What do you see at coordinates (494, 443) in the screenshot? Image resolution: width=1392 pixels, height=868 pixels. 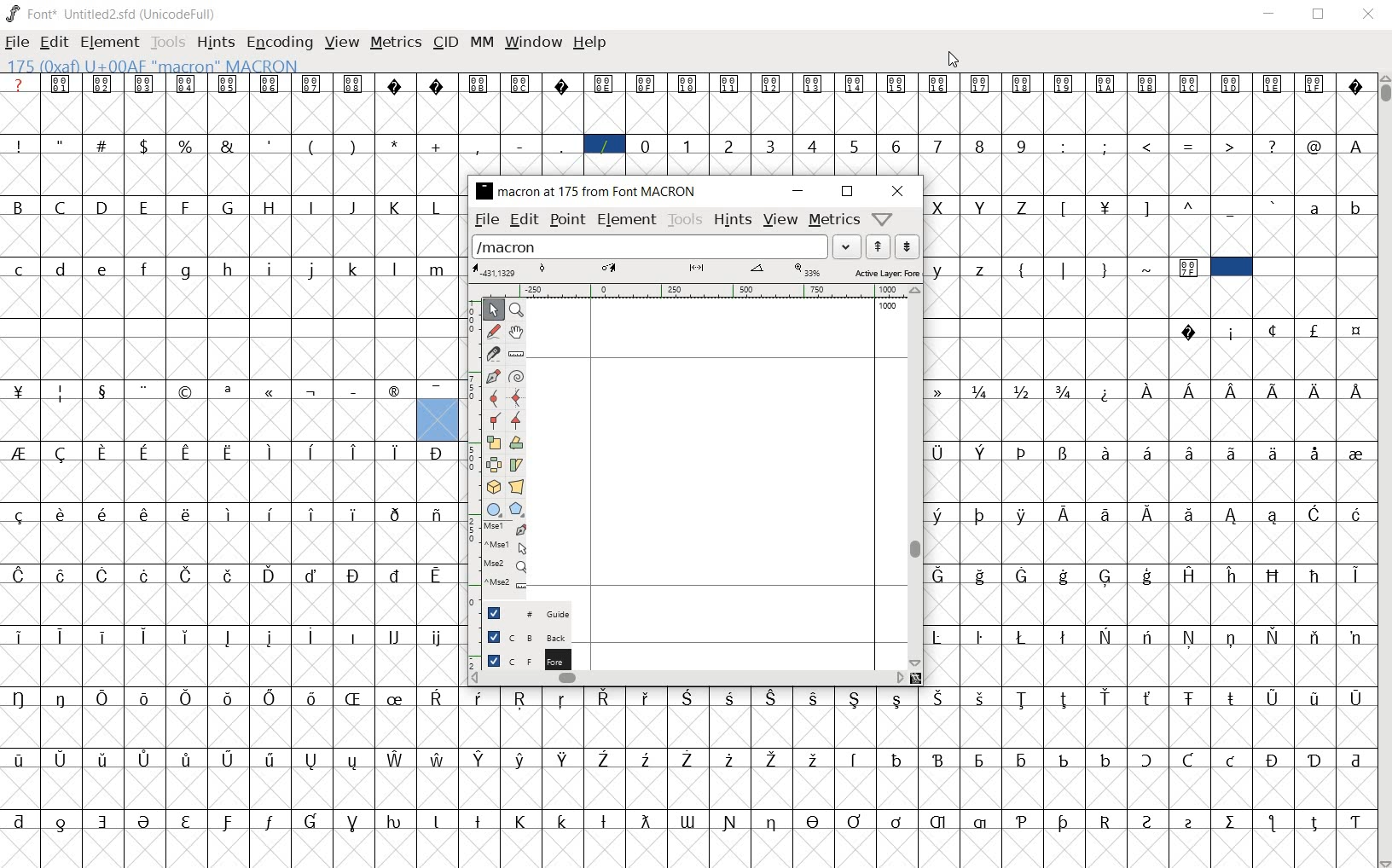 I see `scale` at bounding box center [494, 443].